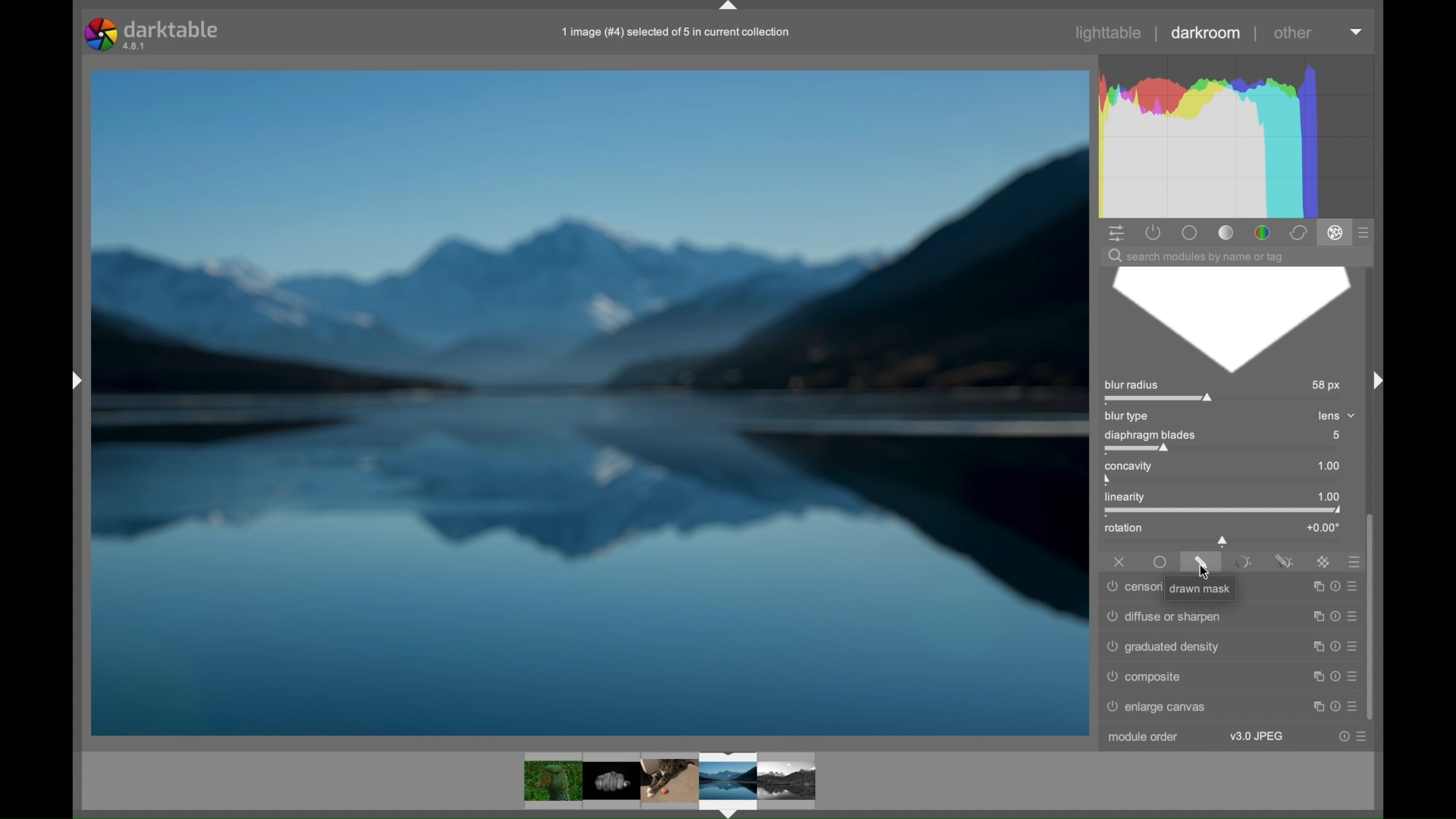 The width and height of the screenshot is (1456, 819). I want to click on drawnamsk, so click(1201, 562).